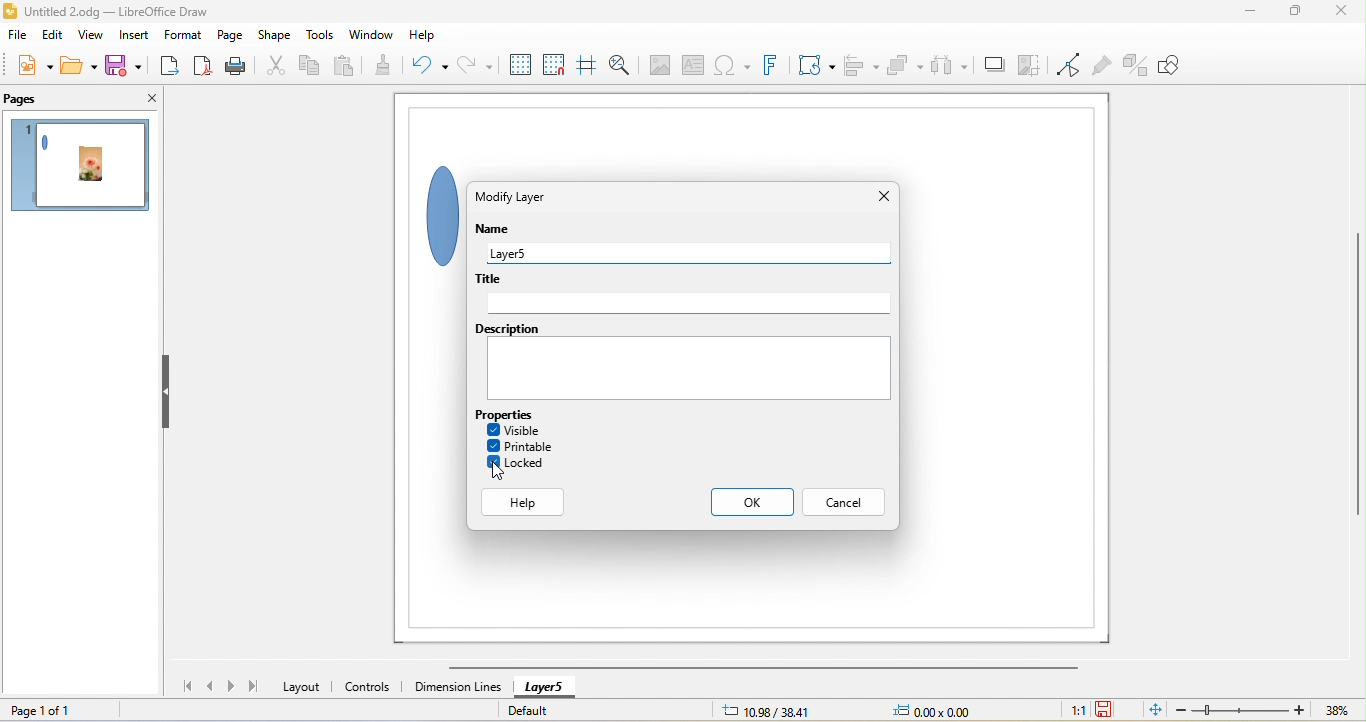 The height and width of the screenshot is (722, 1366). What do you see at coordinates (683, 296) in the screenshot?
I see `title` at bounding box center [683, 296].